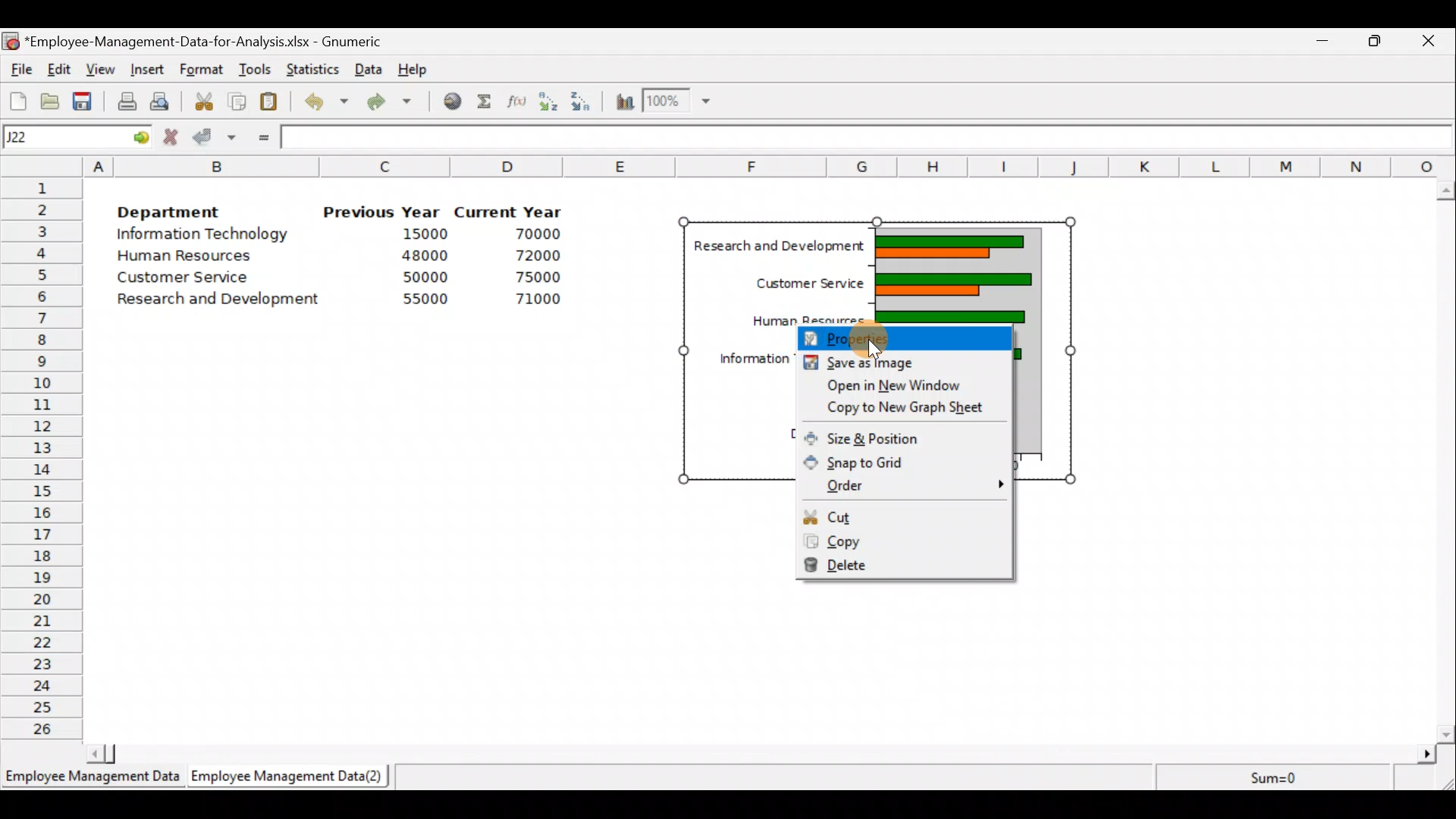  I want to click on Copy the selection, so click(241, 102).